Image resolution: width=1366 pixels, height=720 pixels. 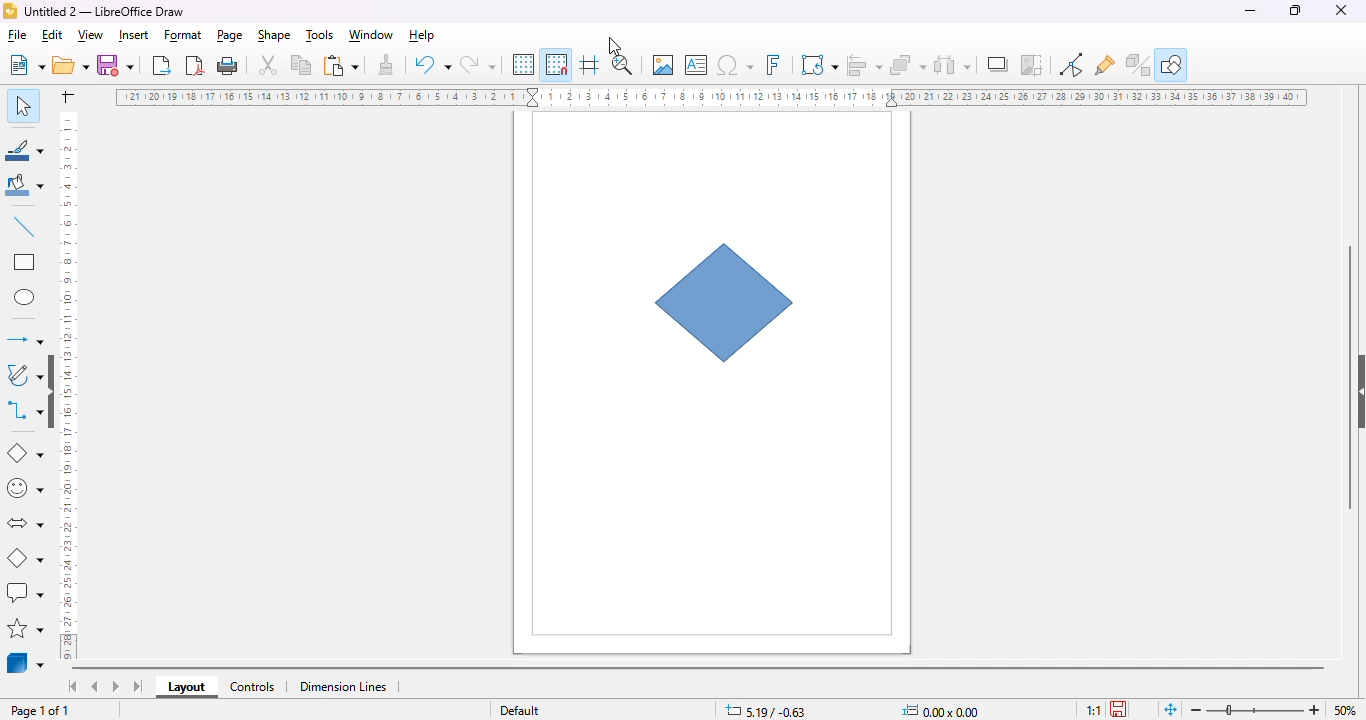 What do you see at coordinates (819, 65) in the screenshot?
I see `transformations` at bounding box center [819, 65].